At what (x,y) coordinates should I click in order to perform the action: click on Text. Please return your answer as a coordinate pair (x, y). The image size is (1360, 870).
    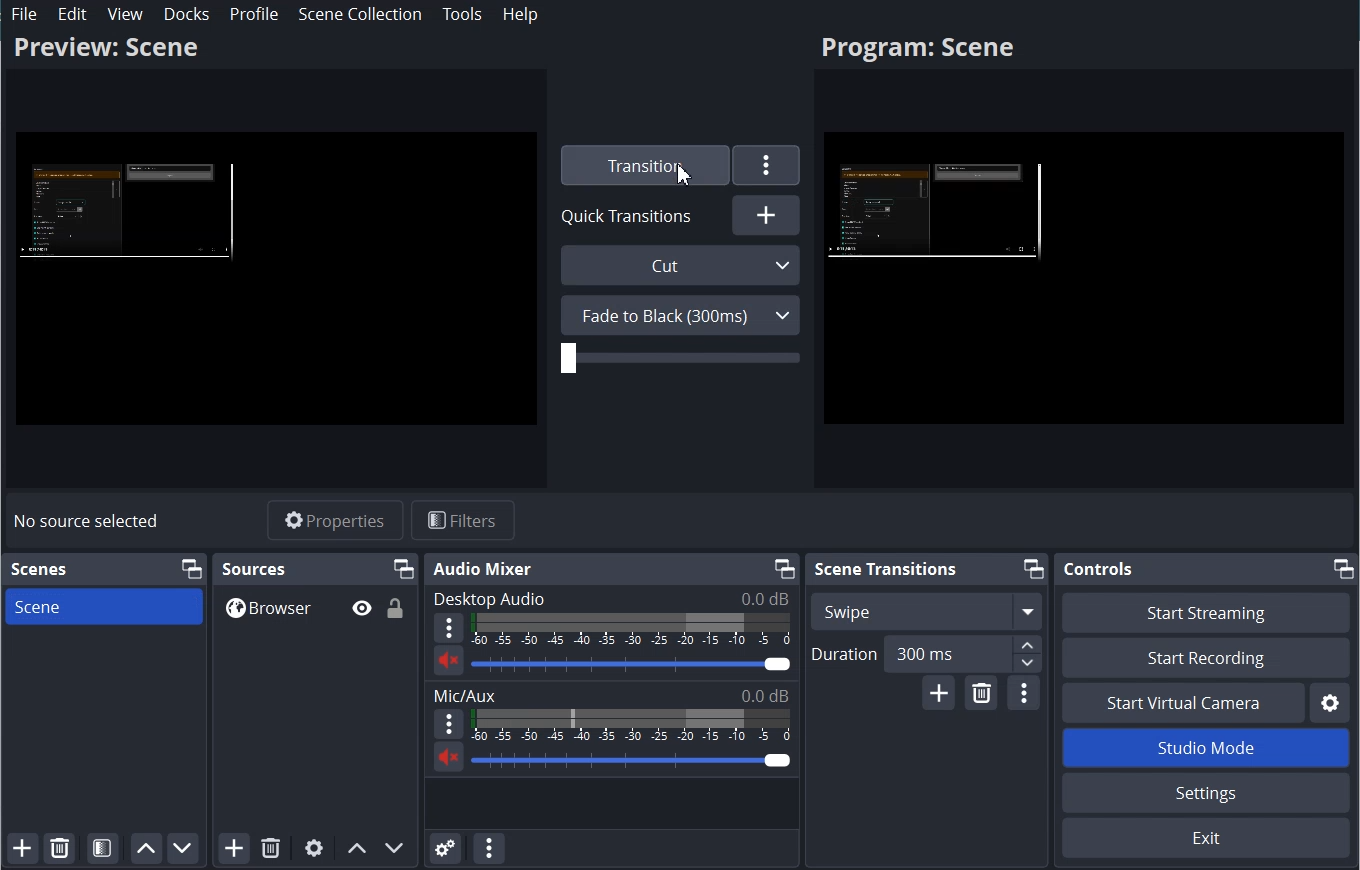
    Looking at the image, I should click on (610, 598).